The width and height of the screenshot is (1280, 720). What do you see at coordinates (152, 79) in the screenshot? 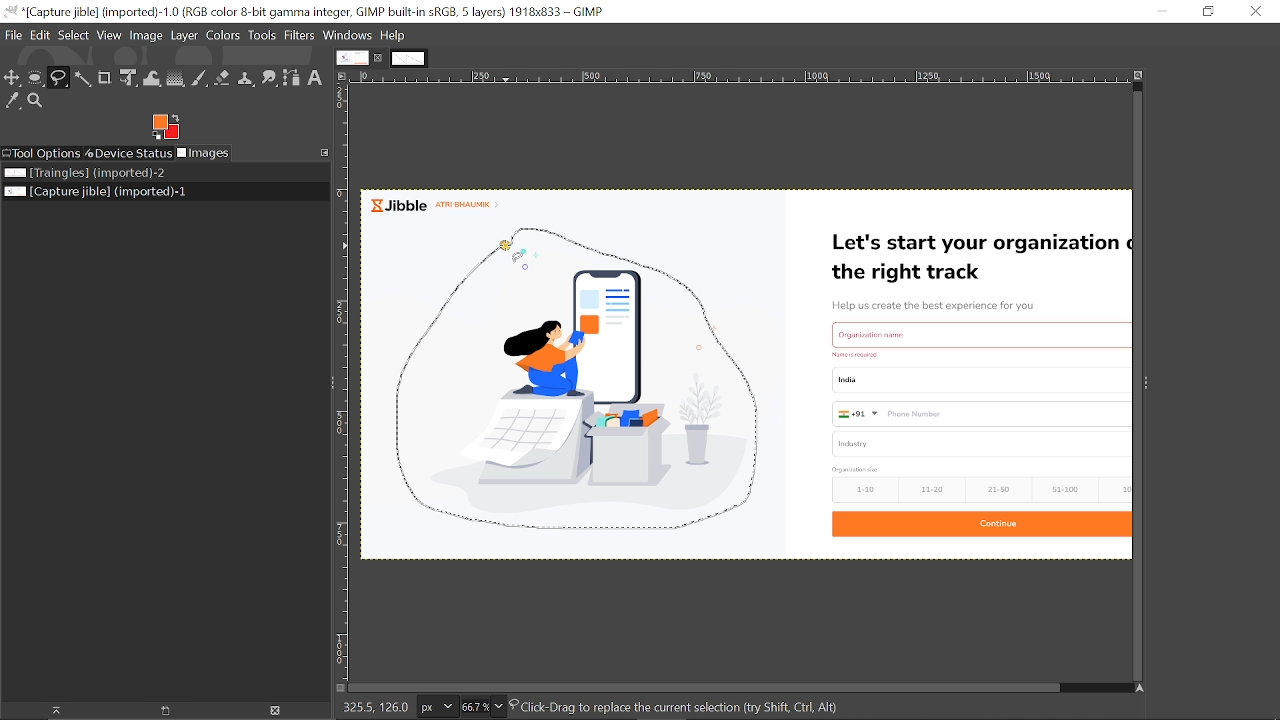
I see `Wrap text tool` at bounding box center [152, 79].